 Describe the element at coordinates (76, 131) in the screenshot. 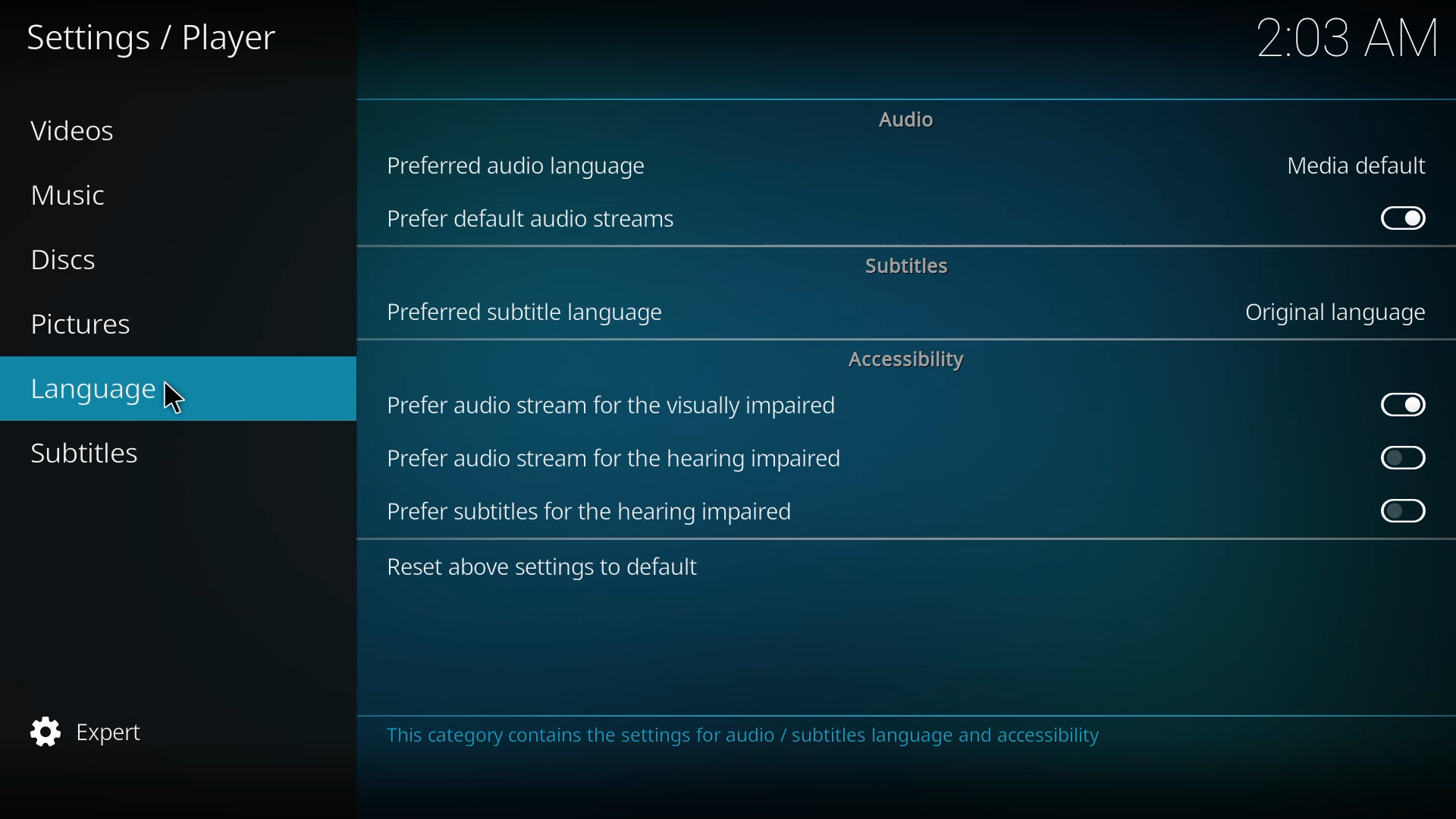

I see `videos` at that location.